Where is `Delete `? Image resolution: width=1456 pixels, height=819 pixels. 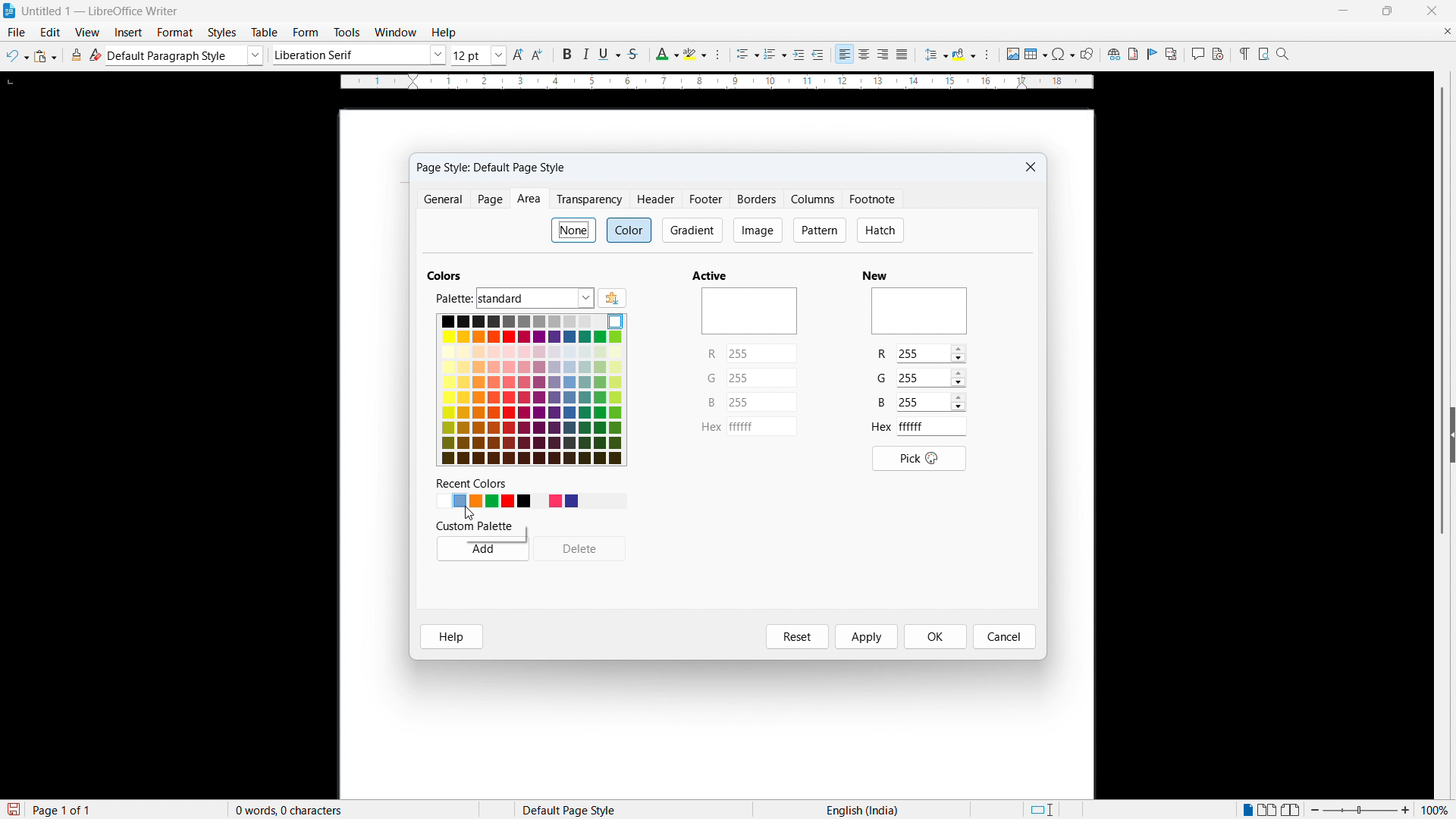
Delete  is located at coordinates (580, 550).